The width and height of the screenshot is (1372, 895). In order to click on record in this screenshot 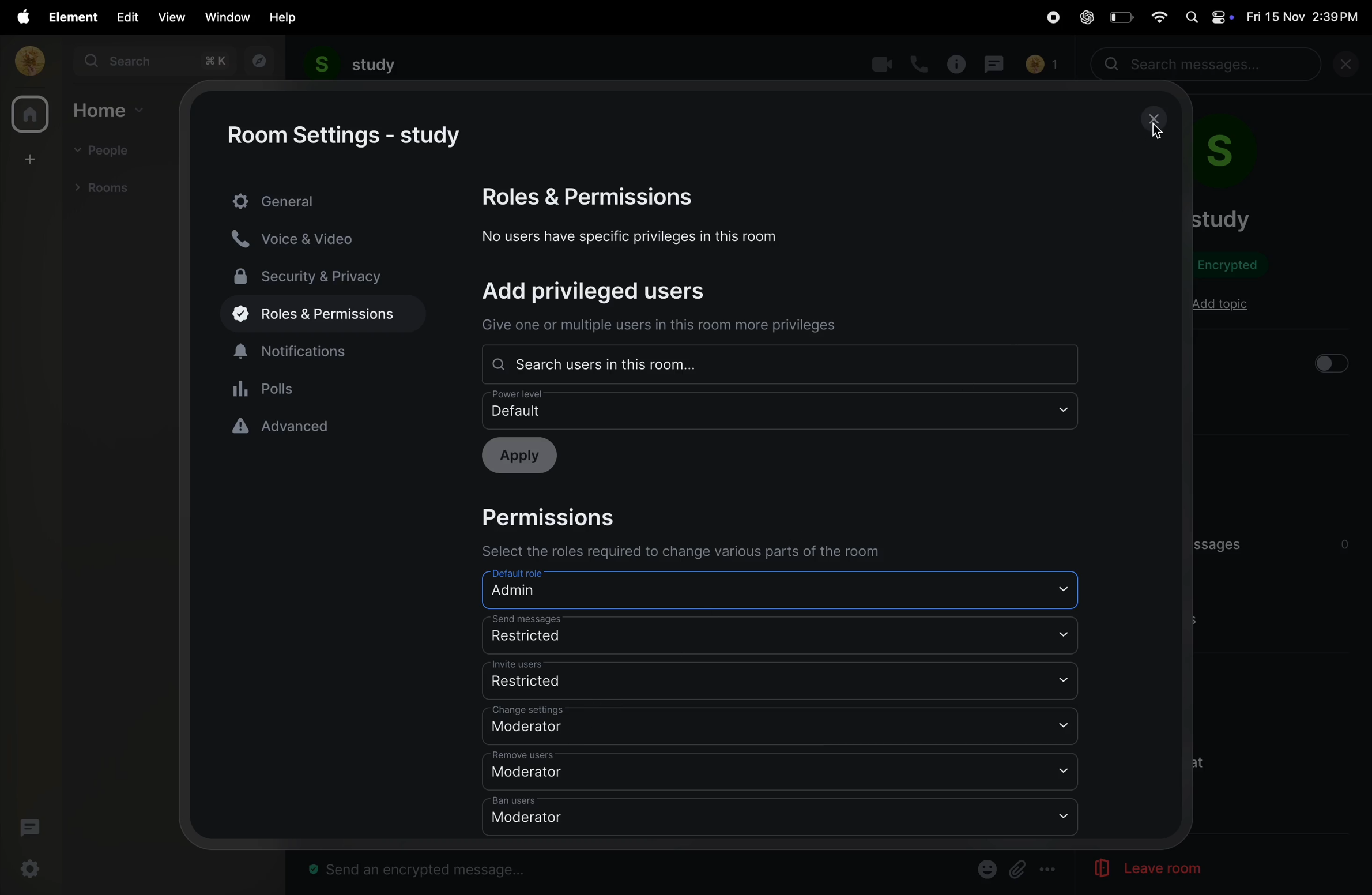, I will do `click(1048, 18)`.